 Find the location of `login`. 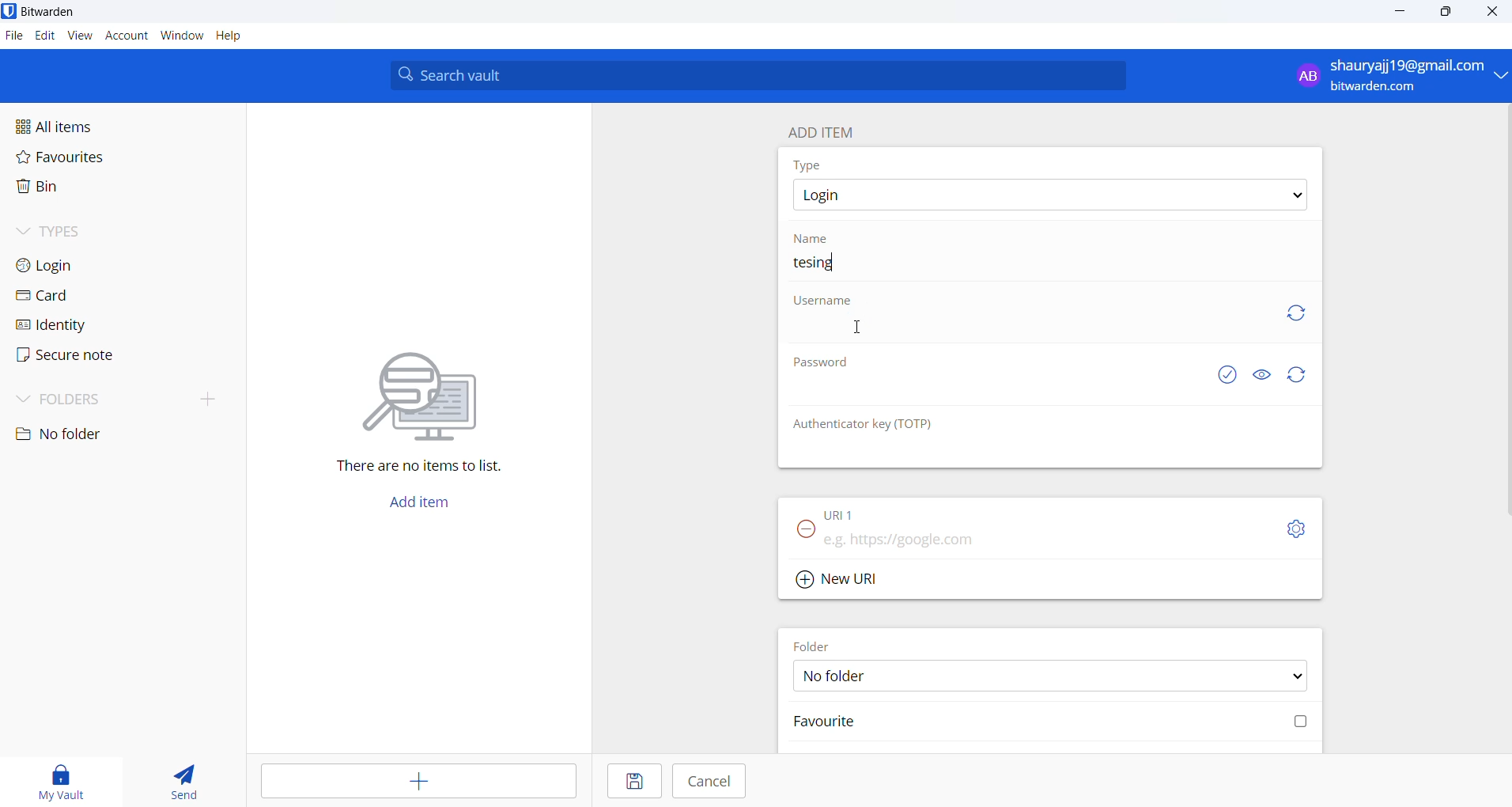

login is located at coordinates (93, 268).